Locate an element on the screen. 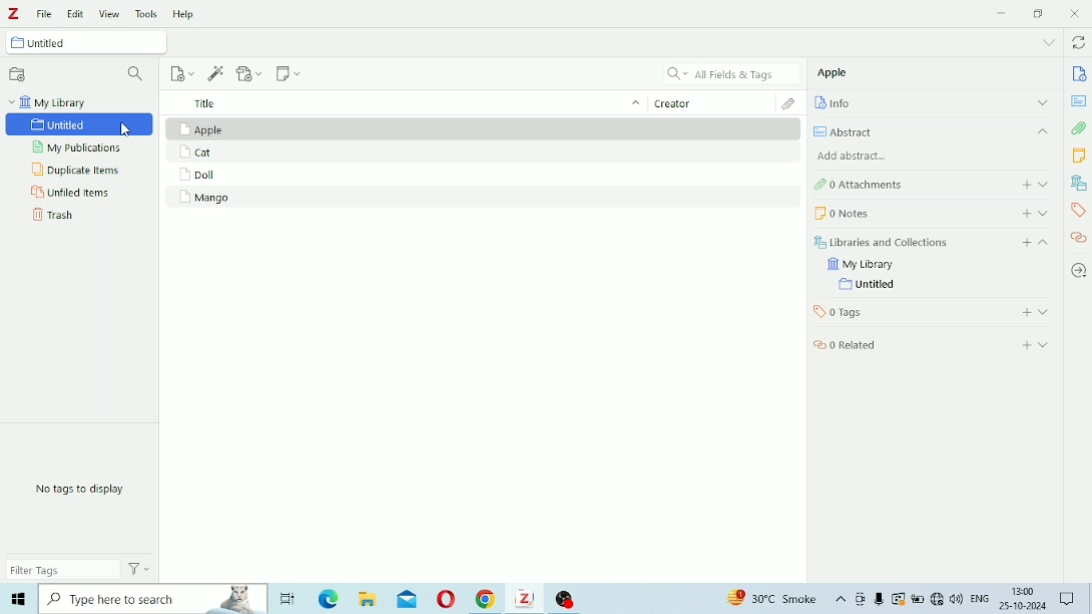 This screenshot has width=1092, height=614. Minimize is located at coordinates (1001, 14).